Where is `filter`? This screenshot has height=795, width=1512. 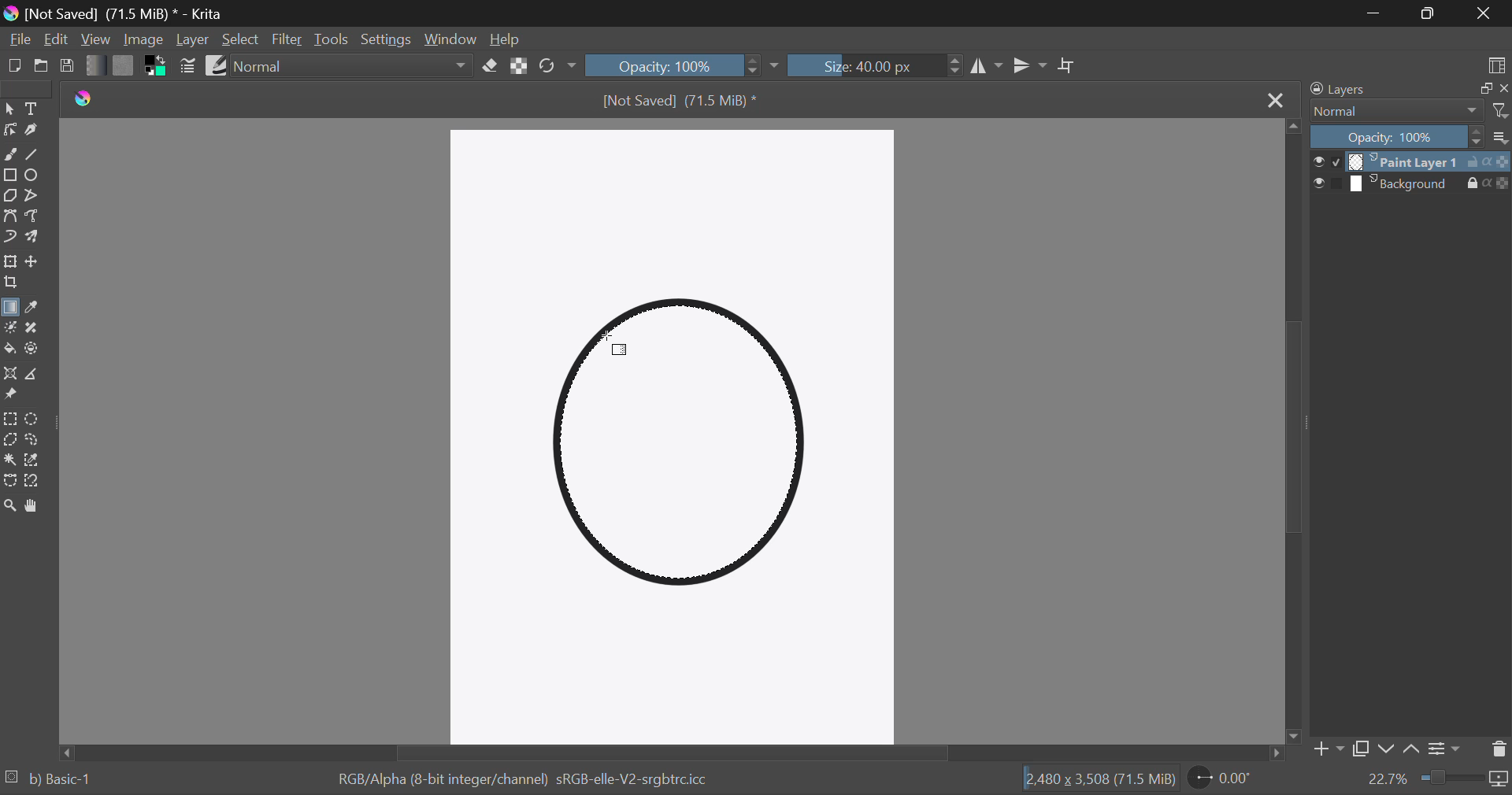
filter is located at coordinates (1499, 111).